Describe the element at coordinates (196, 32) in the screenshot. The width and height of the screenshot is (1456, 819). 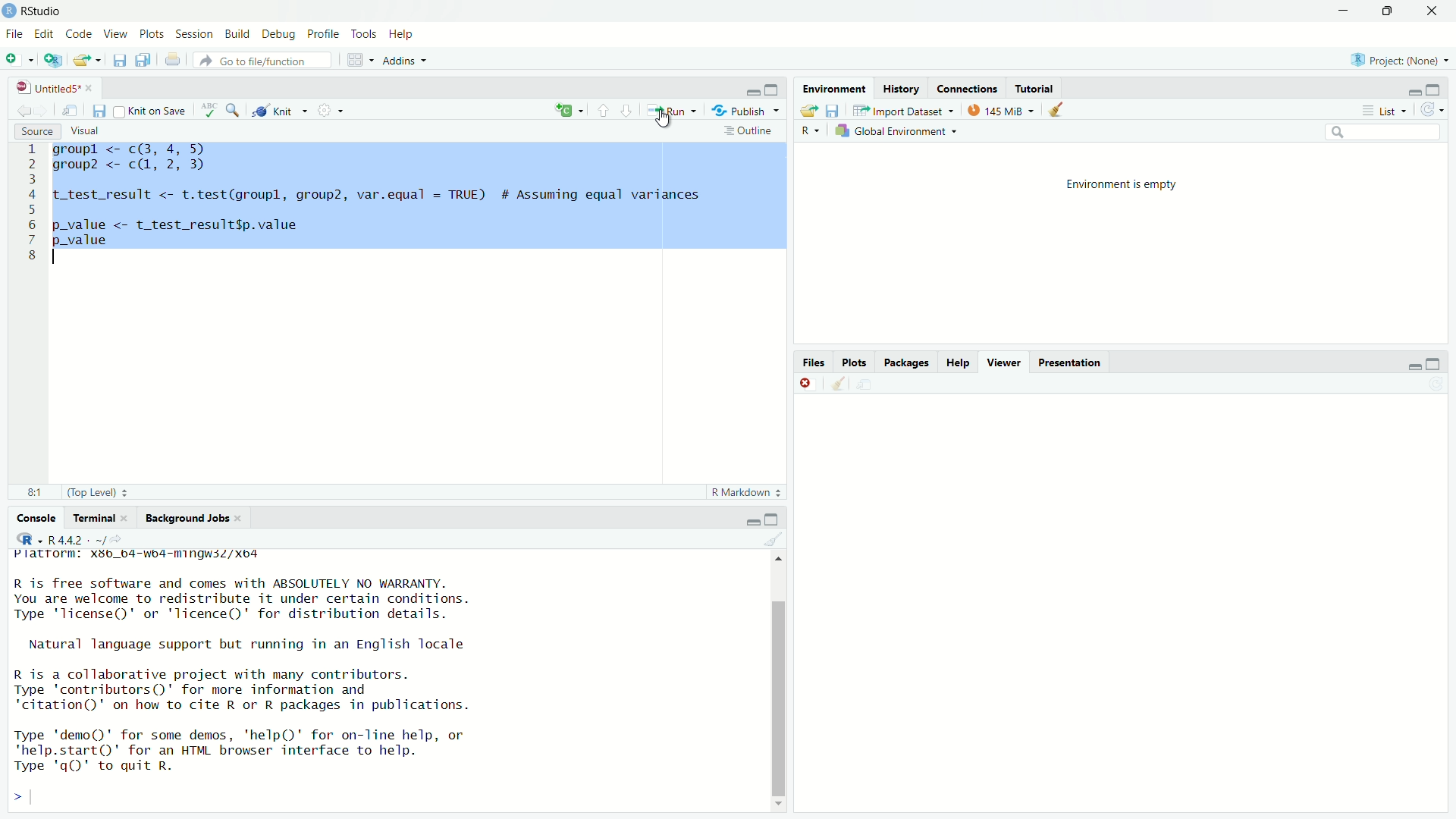
I see `Session` at that location.